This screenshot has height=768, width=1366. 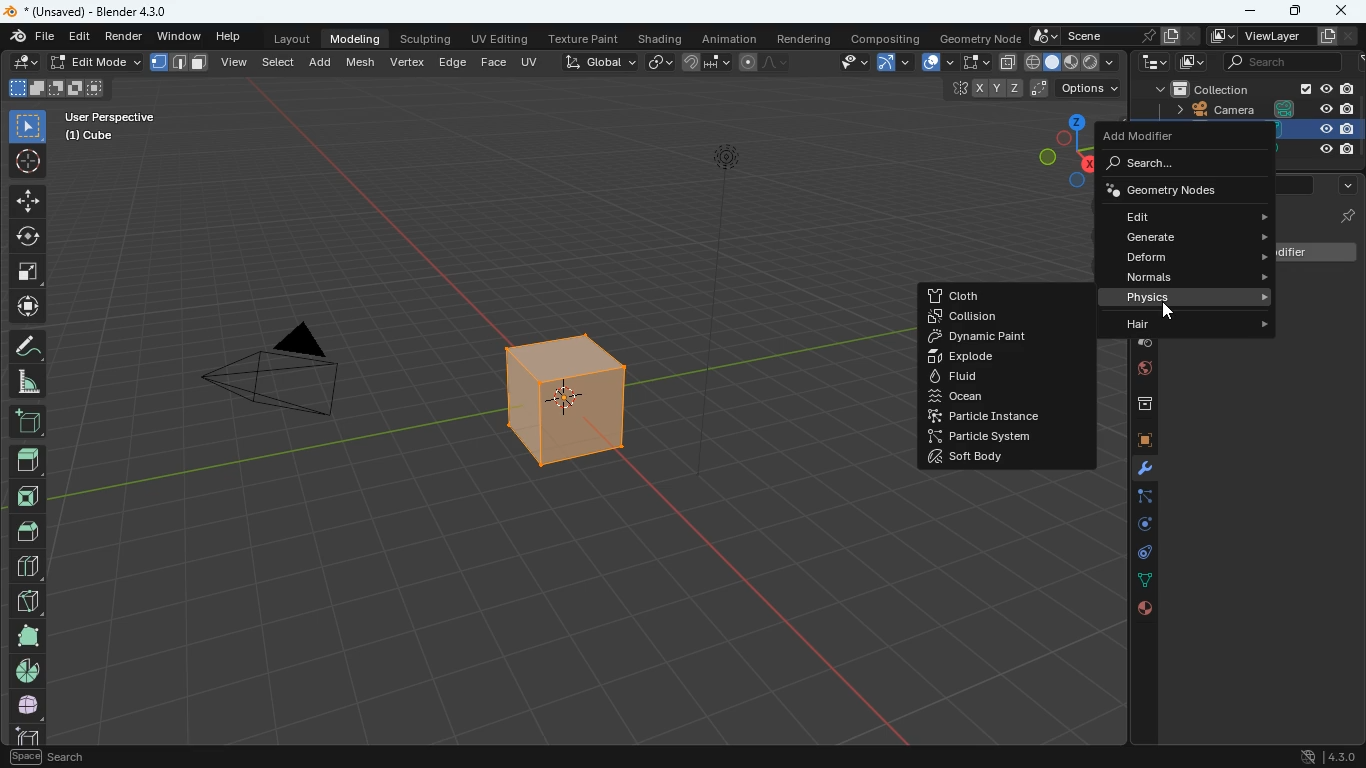 What do you see at coordinates (231, 33) in the screenshot?
I see `help` at bounding box center [231, 33].